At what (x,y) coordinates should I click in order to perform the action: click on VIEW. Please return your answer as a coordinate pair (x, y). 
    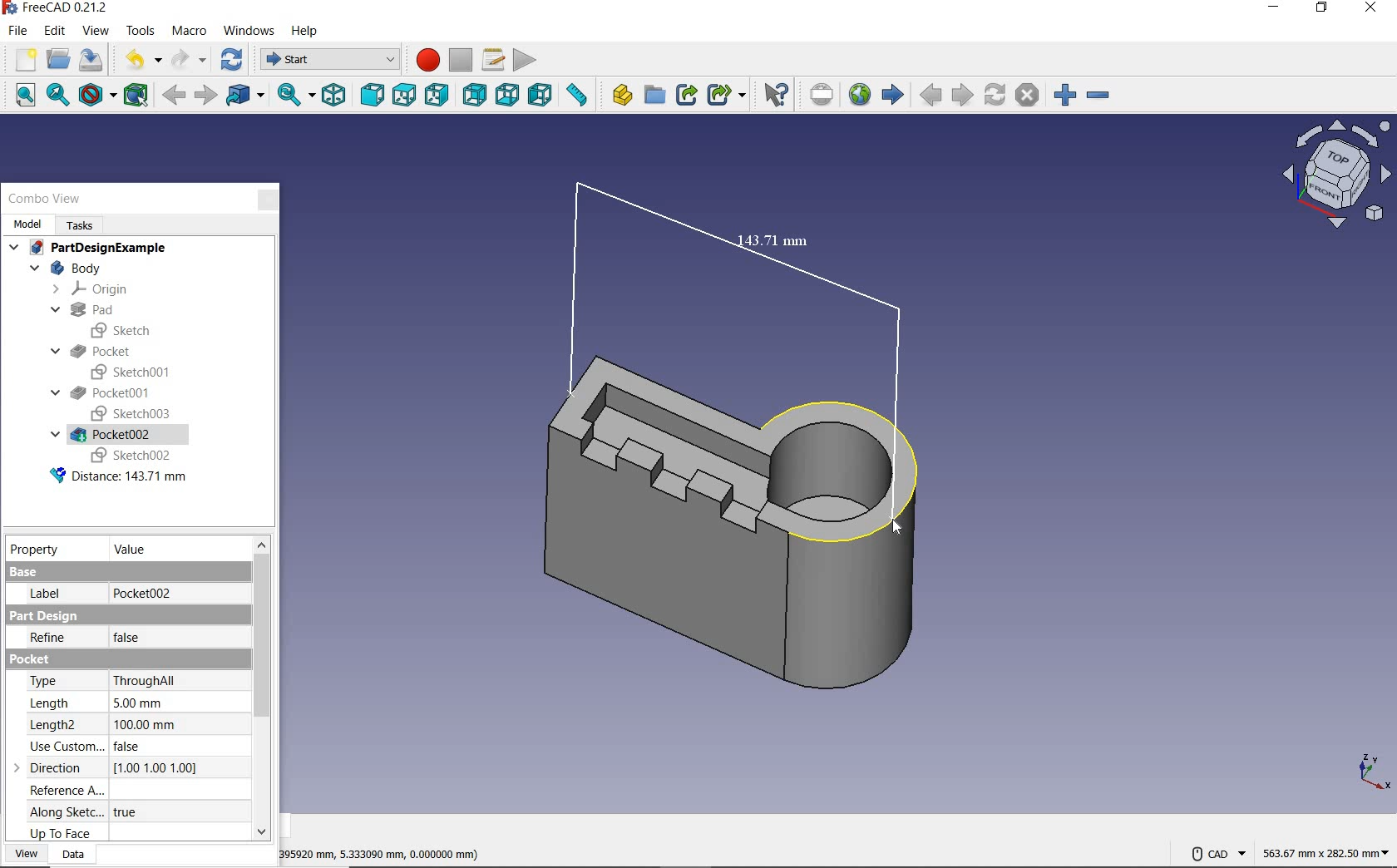
    Looking at the image, I should click on (27, 854).